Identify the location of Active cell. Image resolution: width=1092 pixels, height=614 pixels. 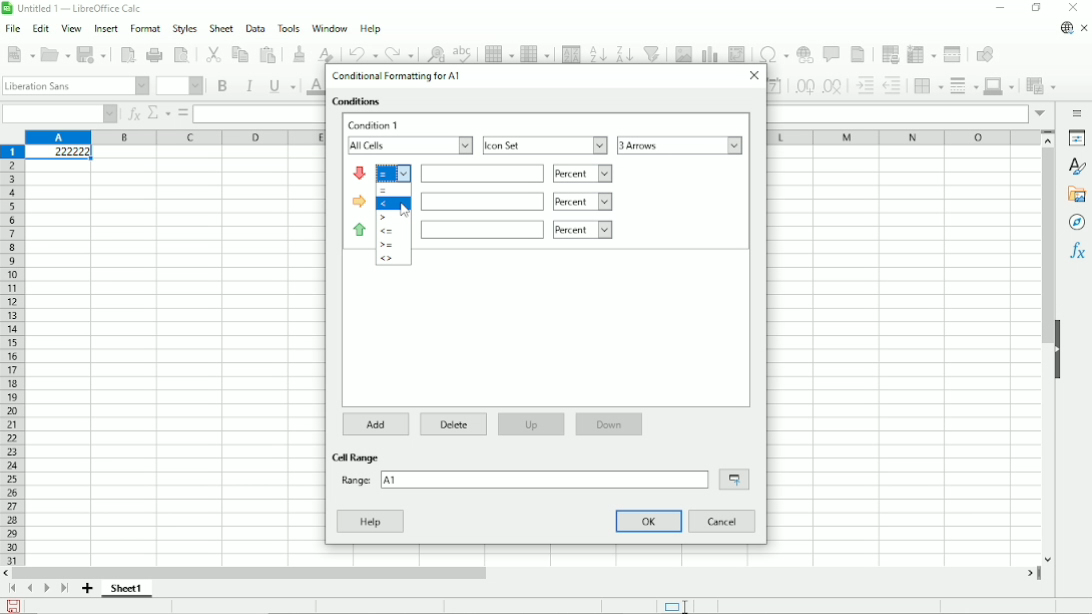
(58, 154).